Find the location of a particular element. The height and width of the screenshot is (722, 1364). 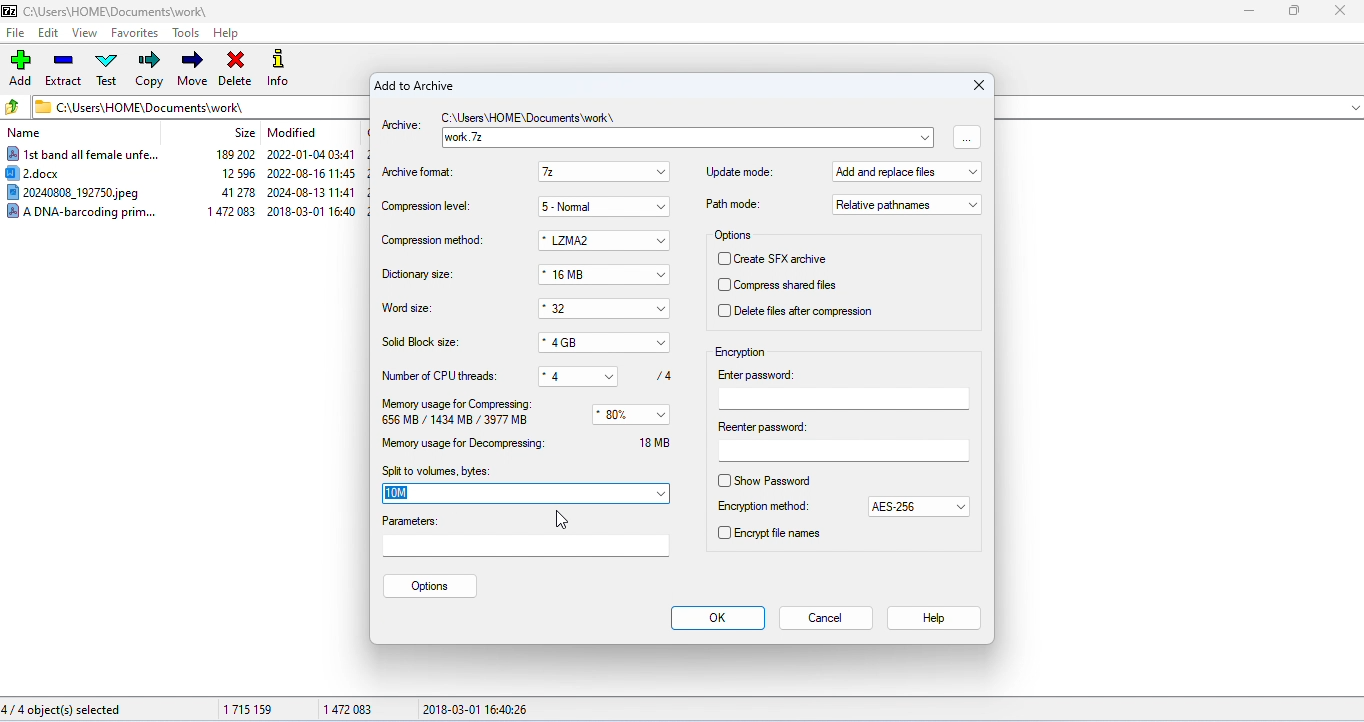

drop down is located at coordinates (662, 309).